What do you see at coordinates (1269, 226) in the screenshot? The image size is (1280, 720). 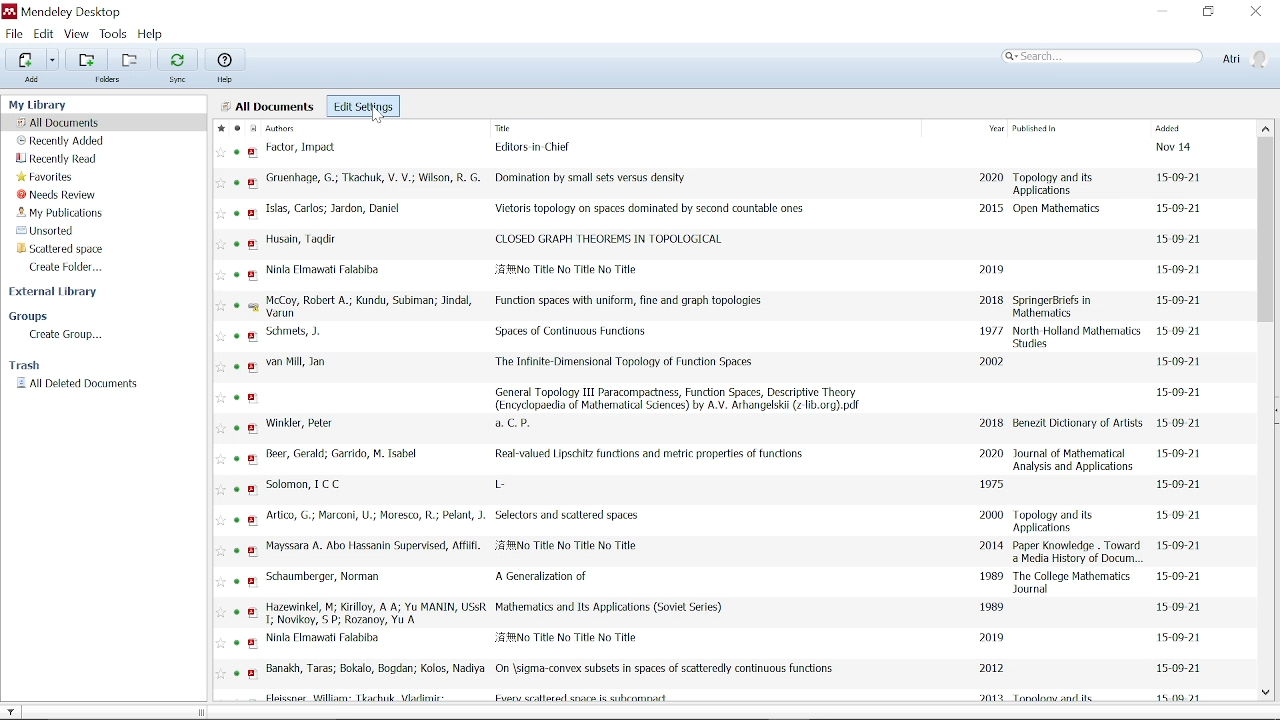 I see `Vertical scrollbar` at bounding box center [1269, 226].